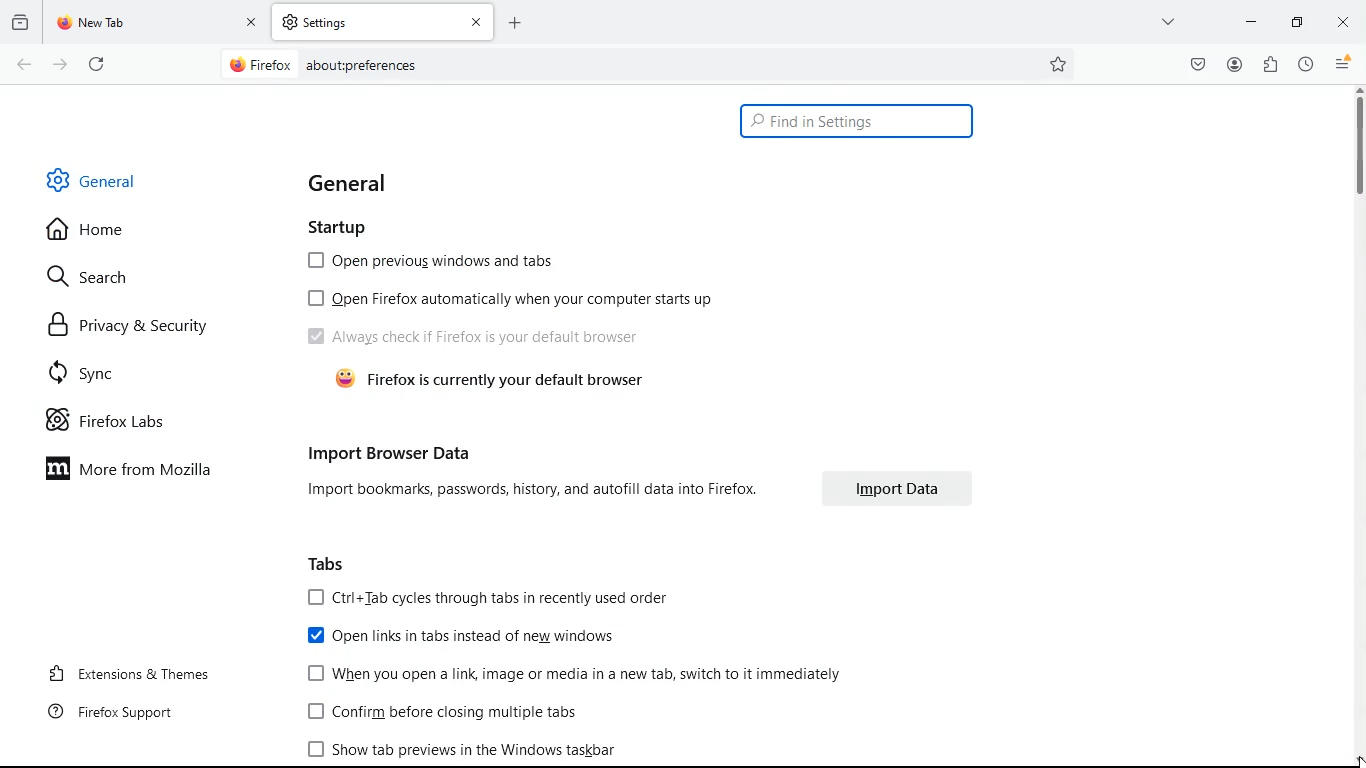 Image resolution: width=1366 pixels, height=768 pixels. Describe the element at coordinates (259, 64) in the screenshot. I see `@ Firefox` at that location.